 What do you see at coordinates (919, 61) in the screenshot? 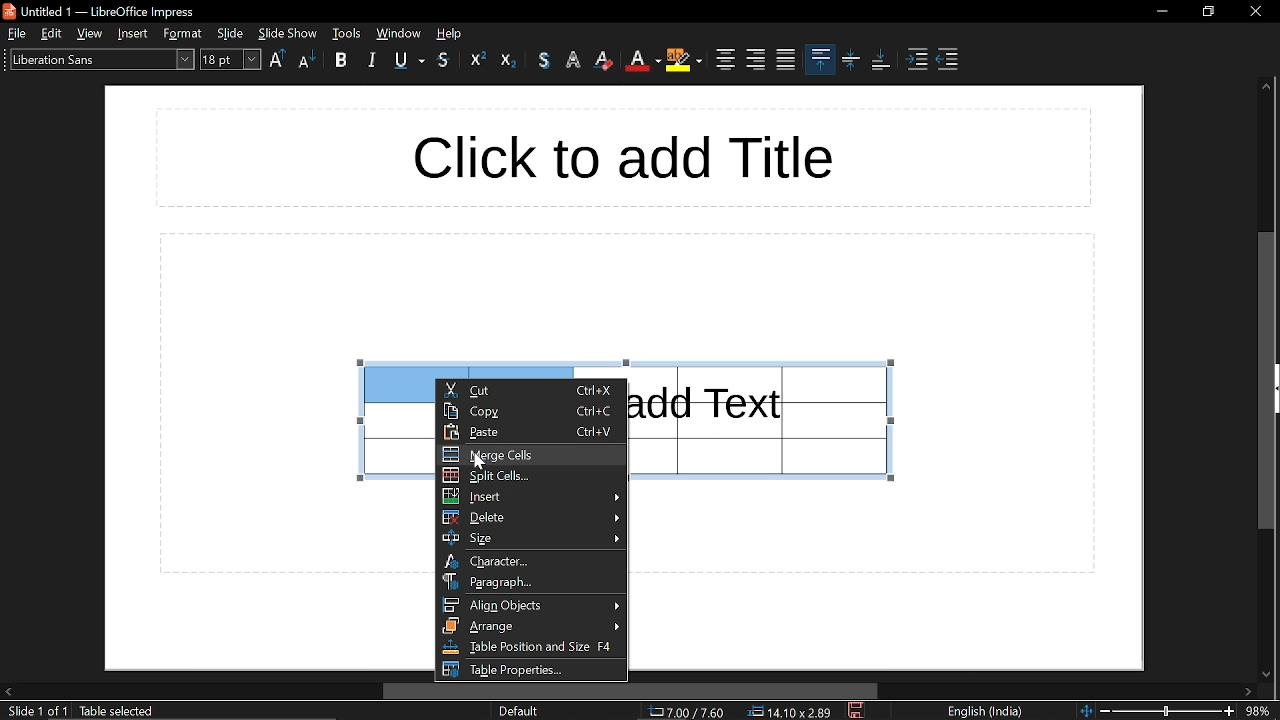
I see `Increase indent ` at bounding box center [919, 61].